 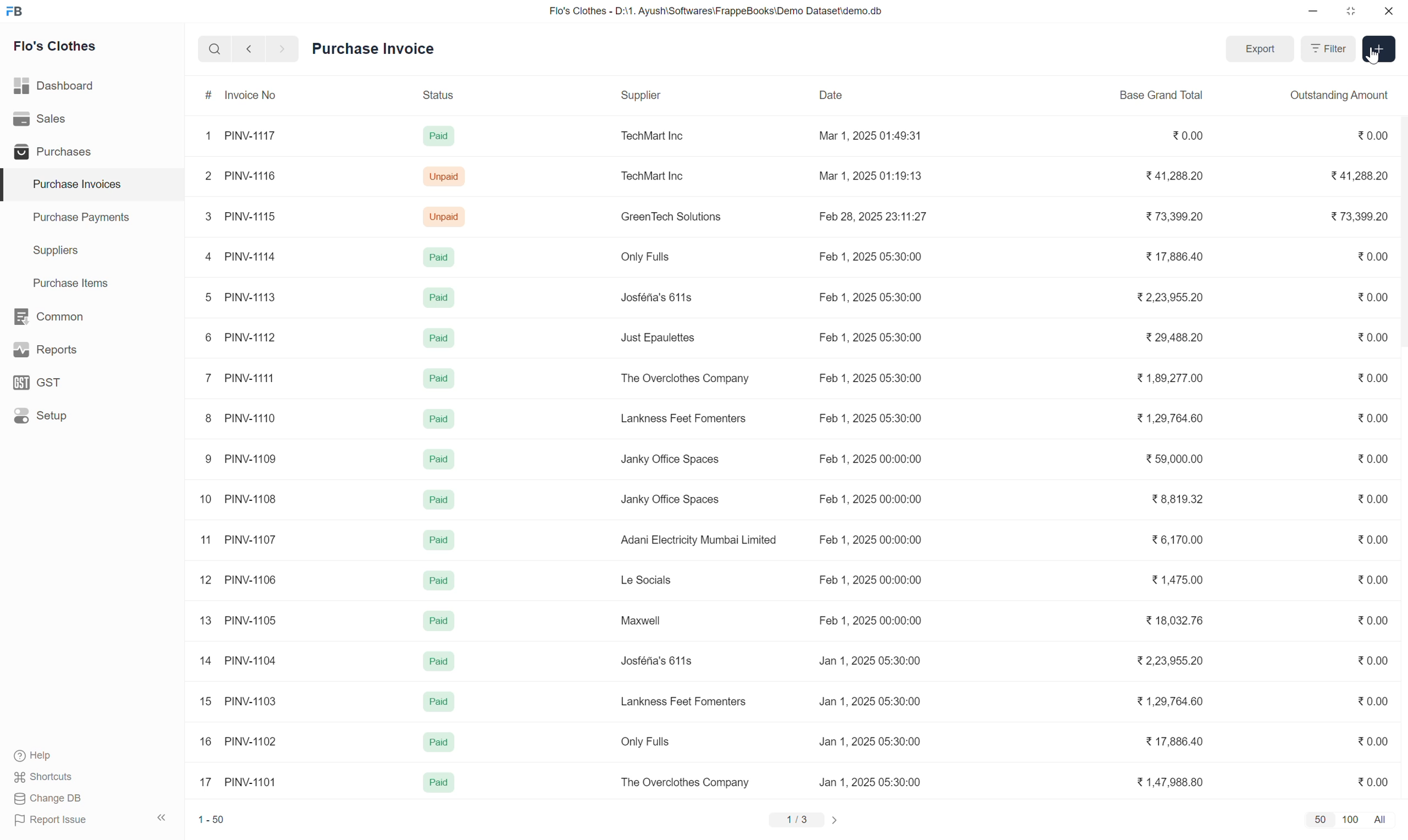 I want to click on 2,23,955.20, so click(x=1170, y=297).